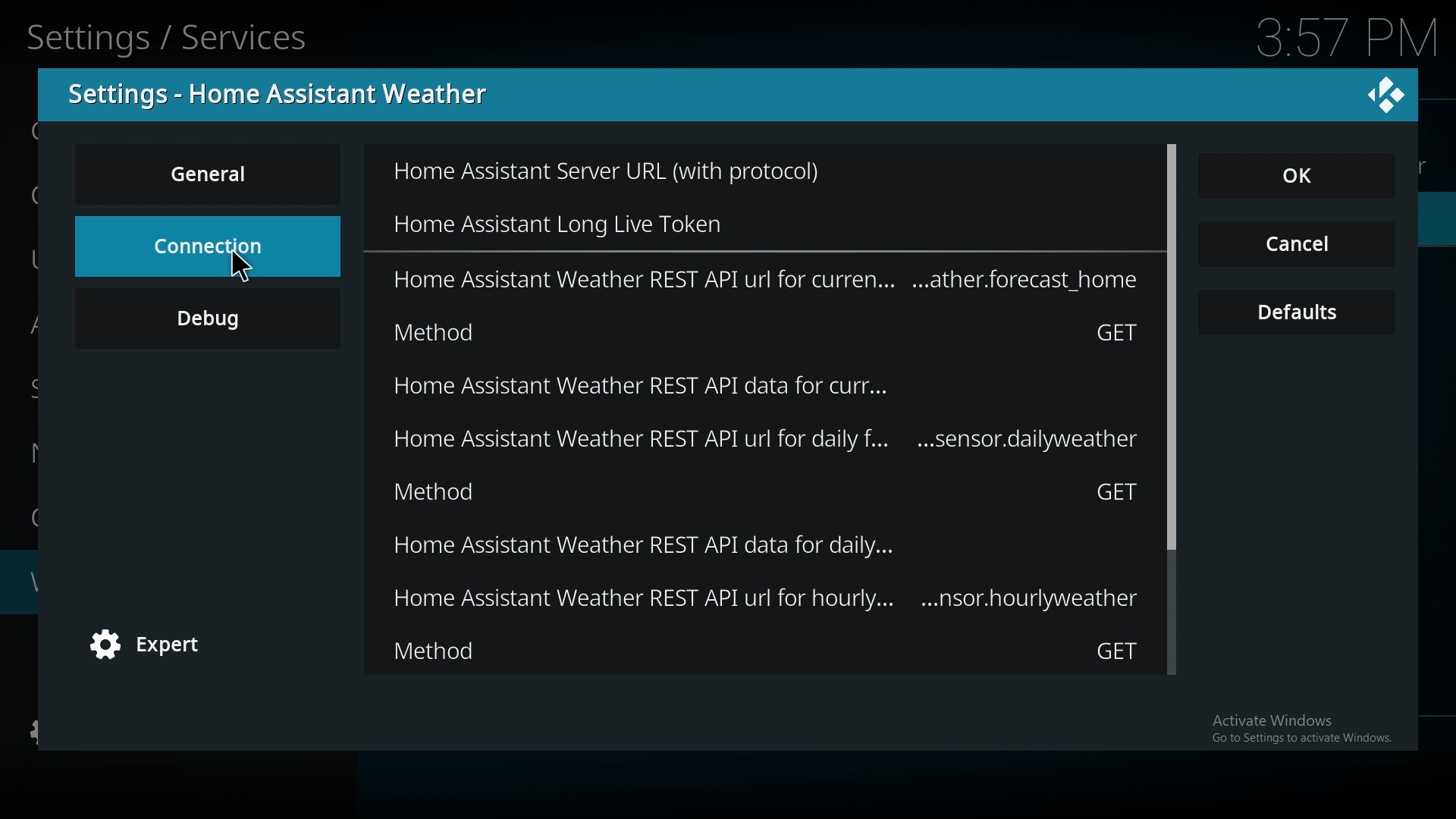 The image size is (1456, 819). What do you see at coordinates (207, 236) in the screenshot?
I see `connection` at bounding box center [207, 236].